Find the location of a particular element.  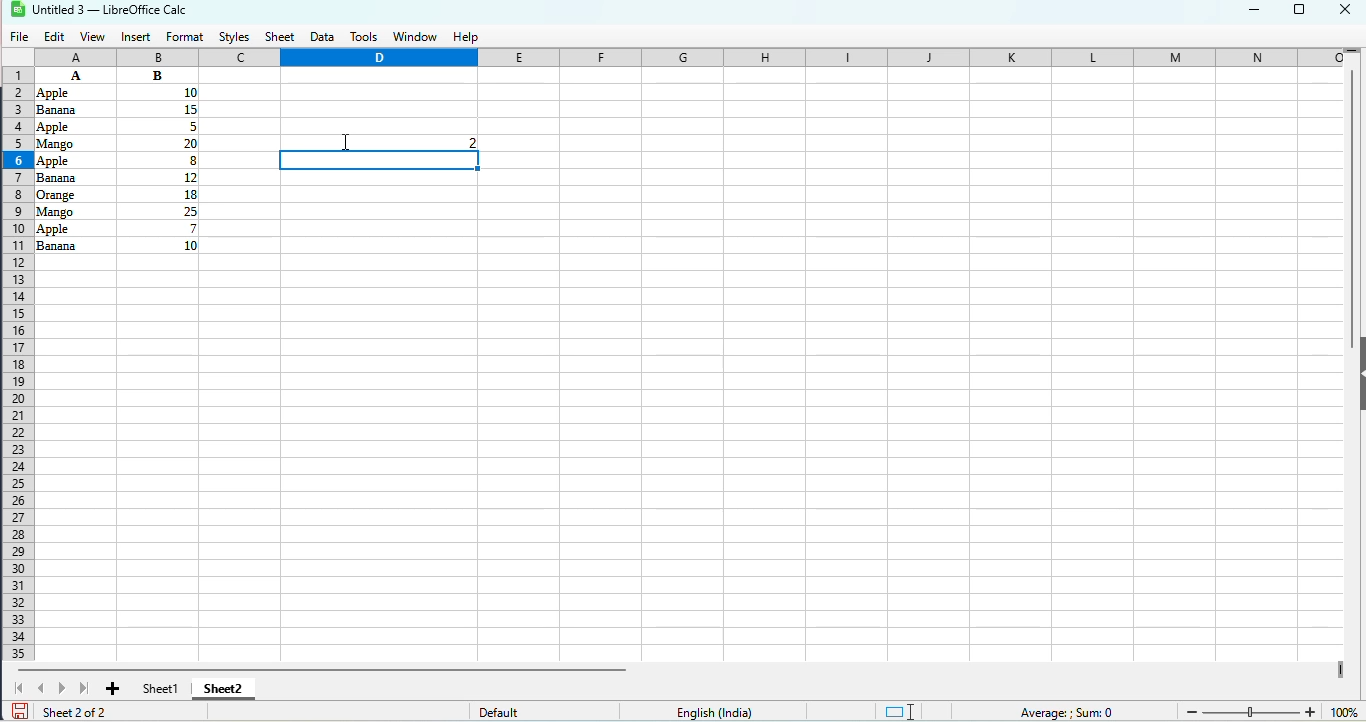

minimize is located at coordinates (1255, 12).